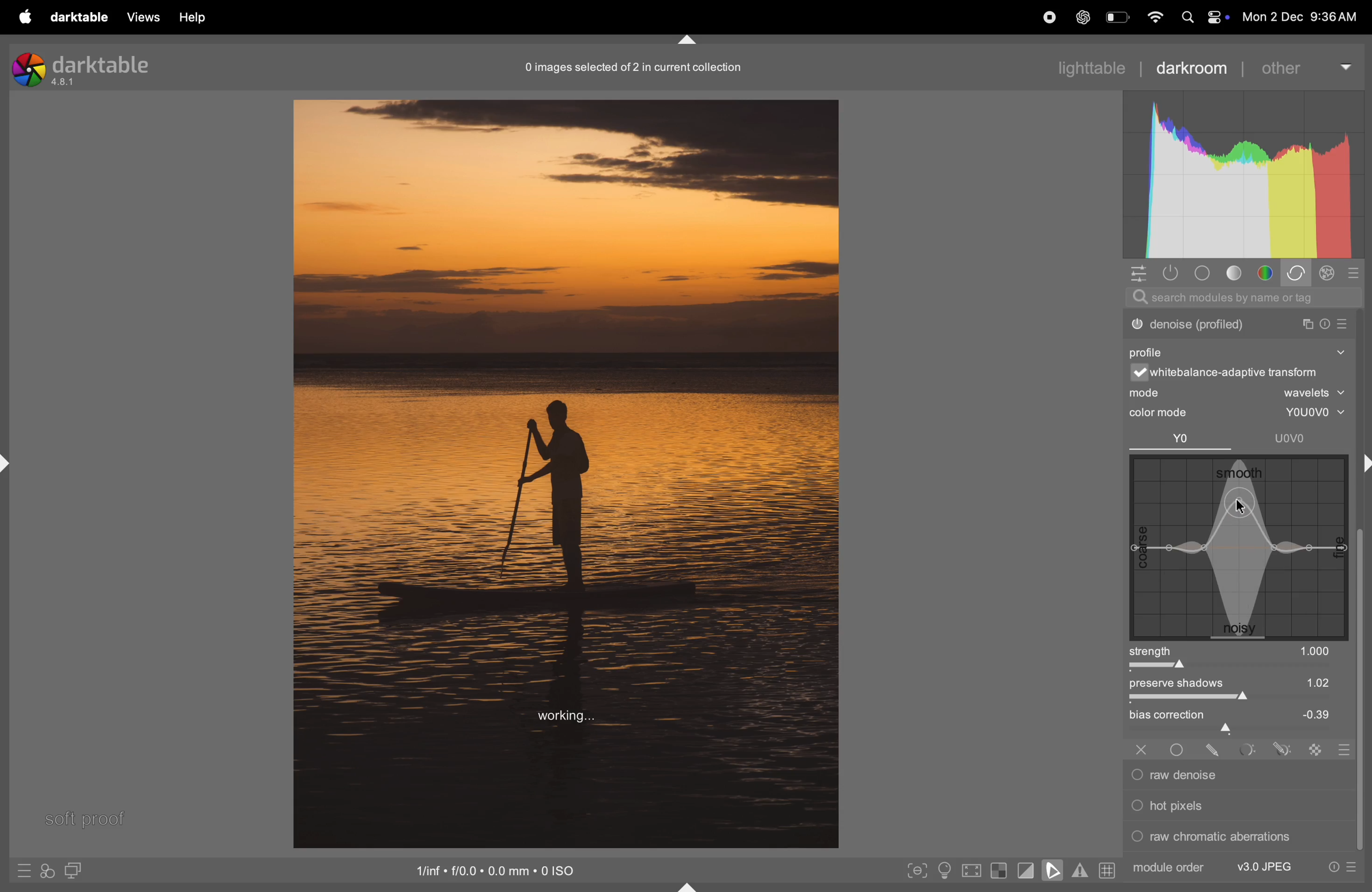 The height and width of the screenshot is (892, 1372). Describe the element at coordinates (1239, 700) in the screenshot. I see `toggle bars` at that location.